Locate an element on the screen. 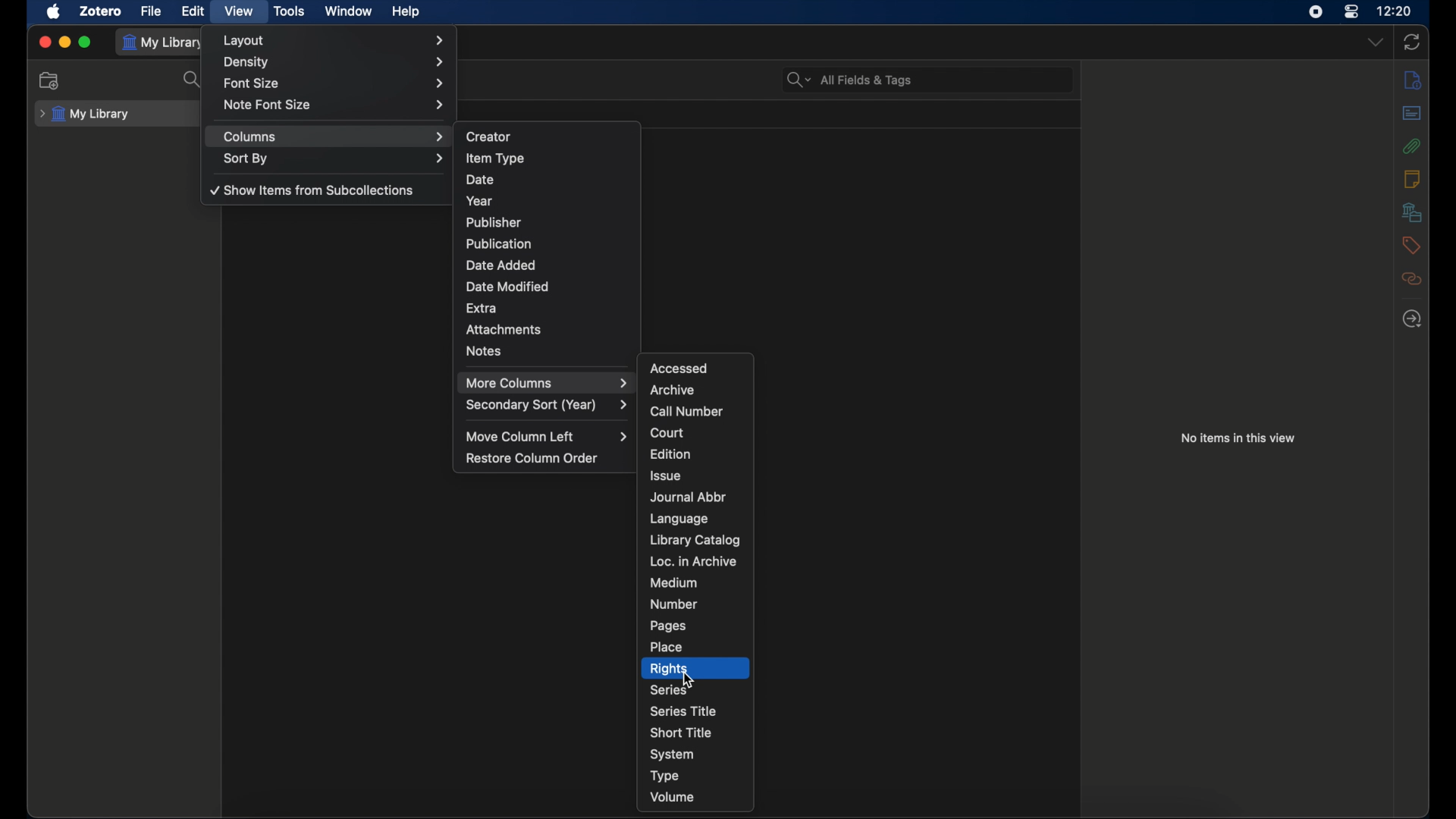 This screenshot has height=819, width=1456. zotero is located at coordinates (101, 11).